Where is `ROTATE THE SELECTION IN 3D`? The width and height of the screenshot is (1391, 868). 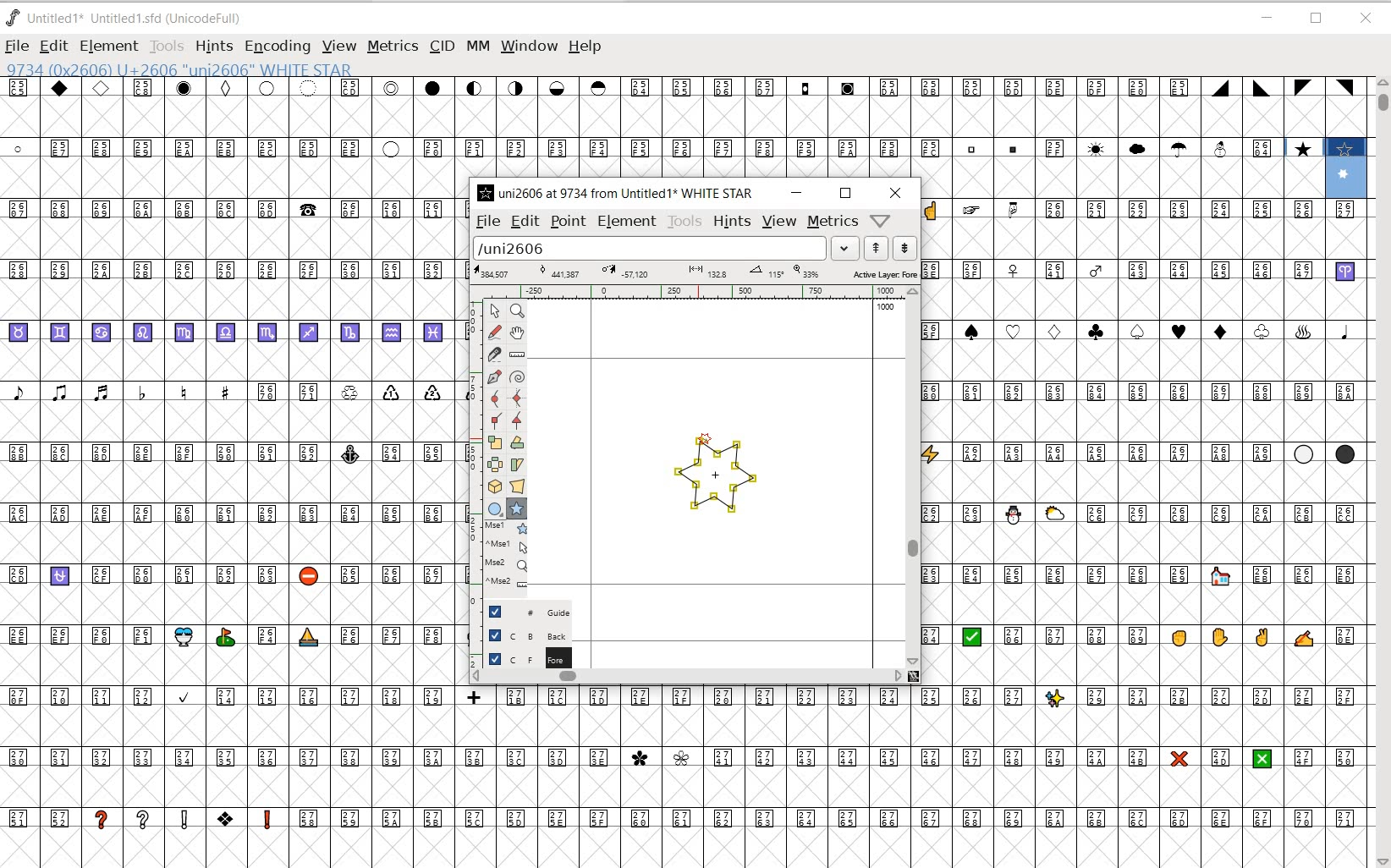
ROTATE THE SELECTION IN 3D is located at coordinates (498, 486).